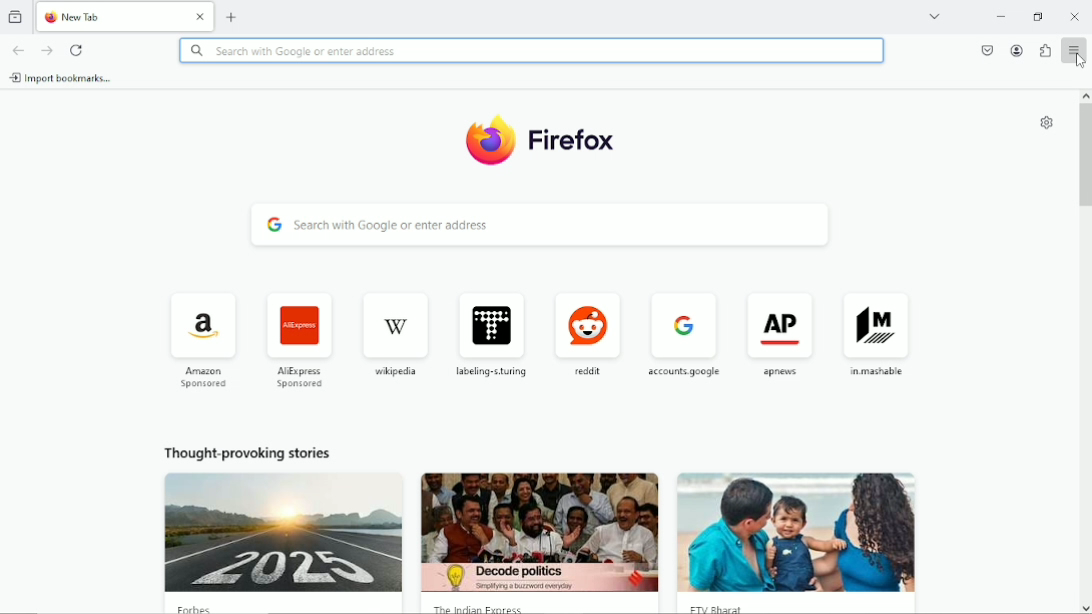  Describe the element at coordinates (1080, 16) in the screenshot. I see `Close` at that location.